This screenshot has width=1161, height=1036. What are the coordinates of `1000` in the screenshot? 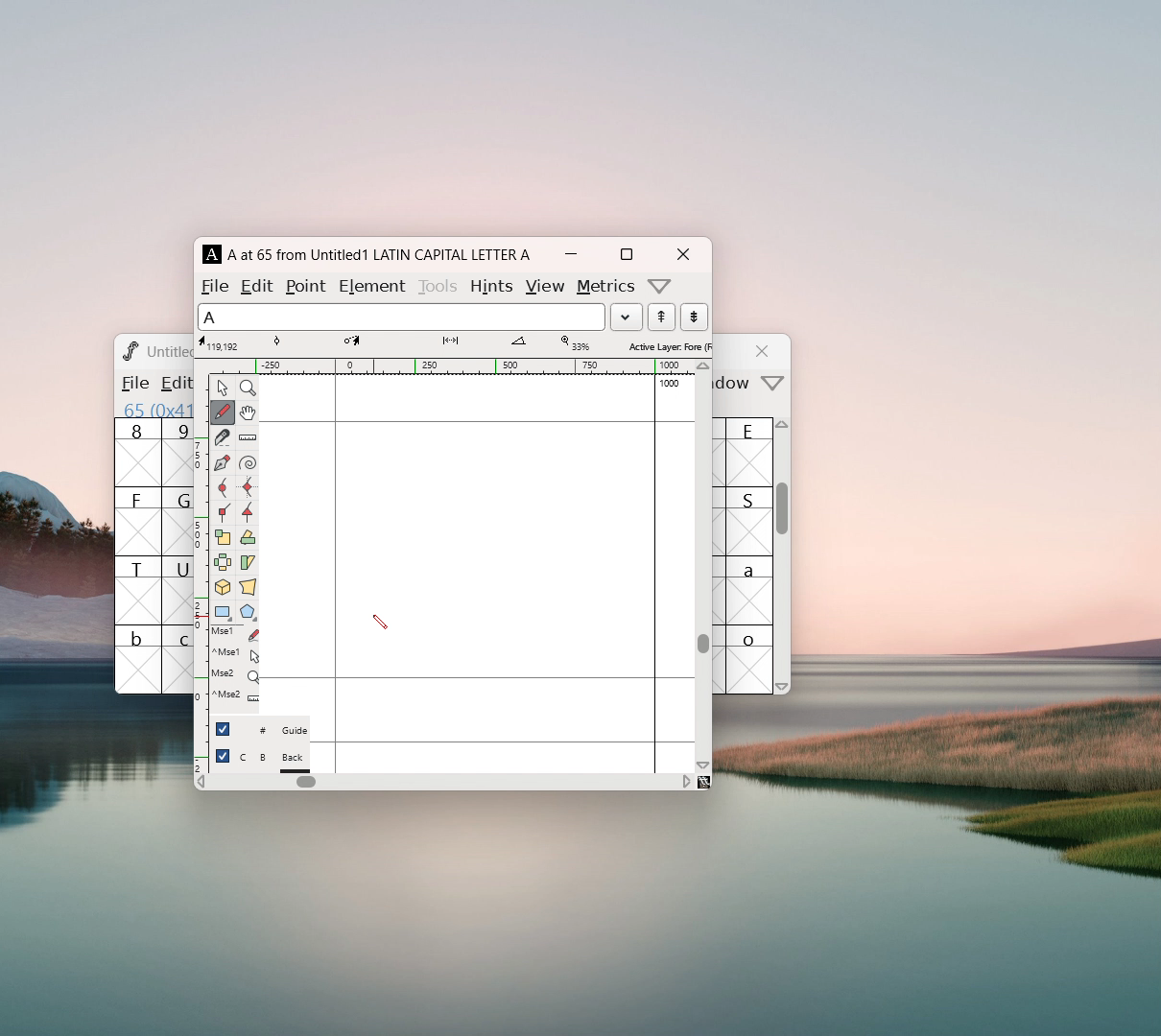 It's located at (672, 384).